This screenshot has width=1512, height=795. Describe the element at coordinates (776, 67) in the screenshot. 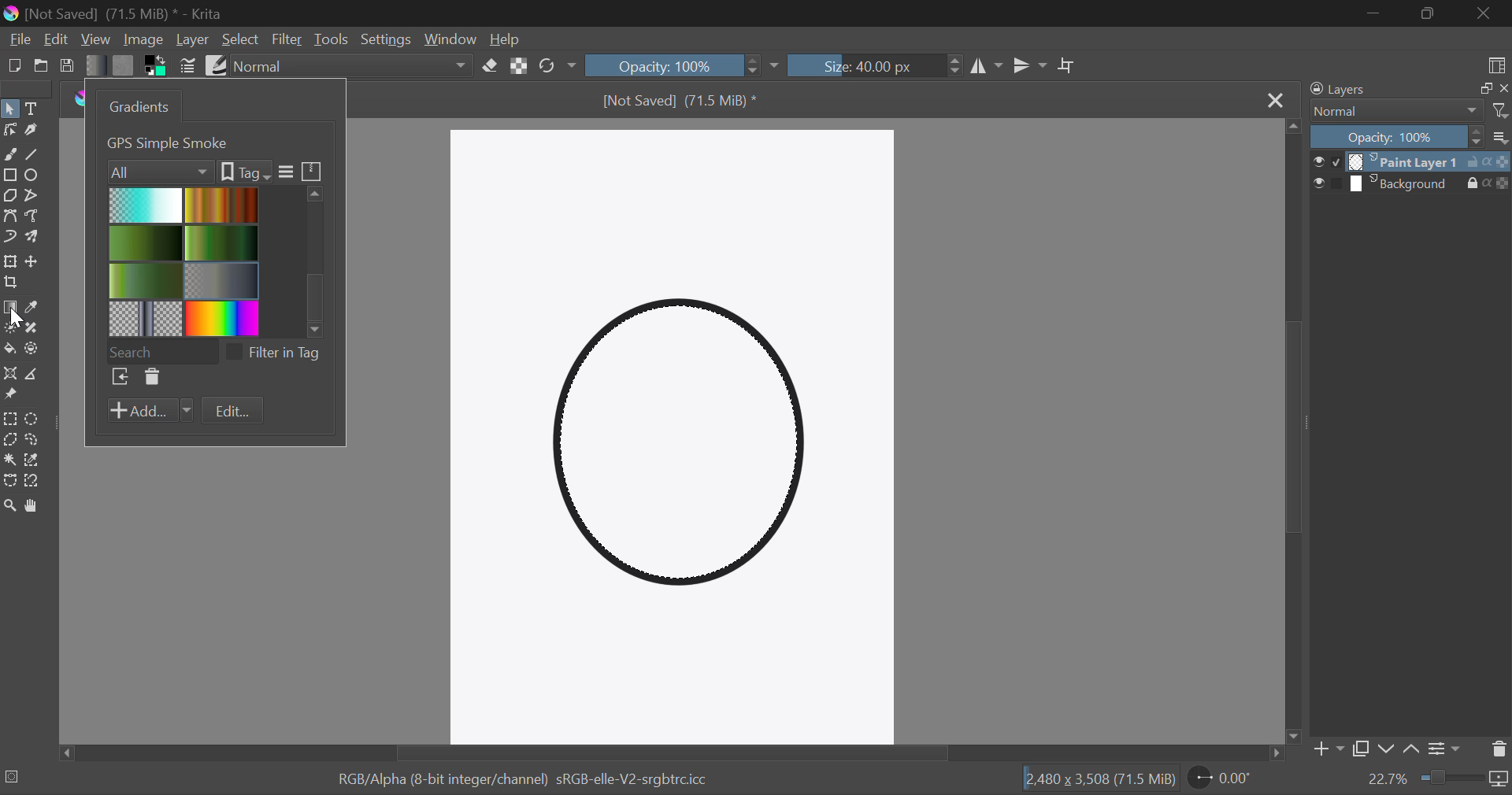

I see `dropdown` at that location.